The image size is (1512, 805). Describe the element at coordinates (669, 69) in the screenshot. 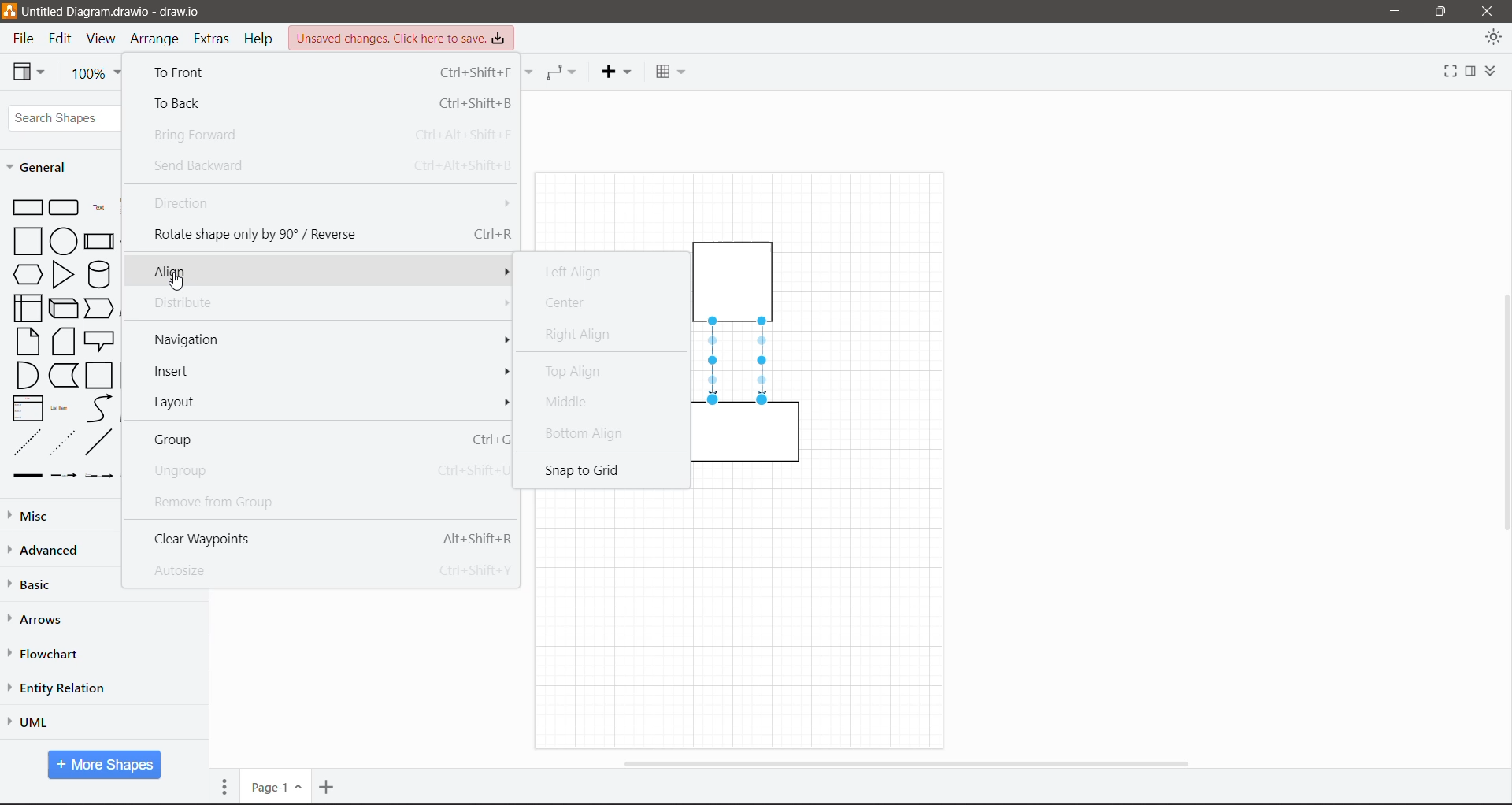

I see `Table` at that location.